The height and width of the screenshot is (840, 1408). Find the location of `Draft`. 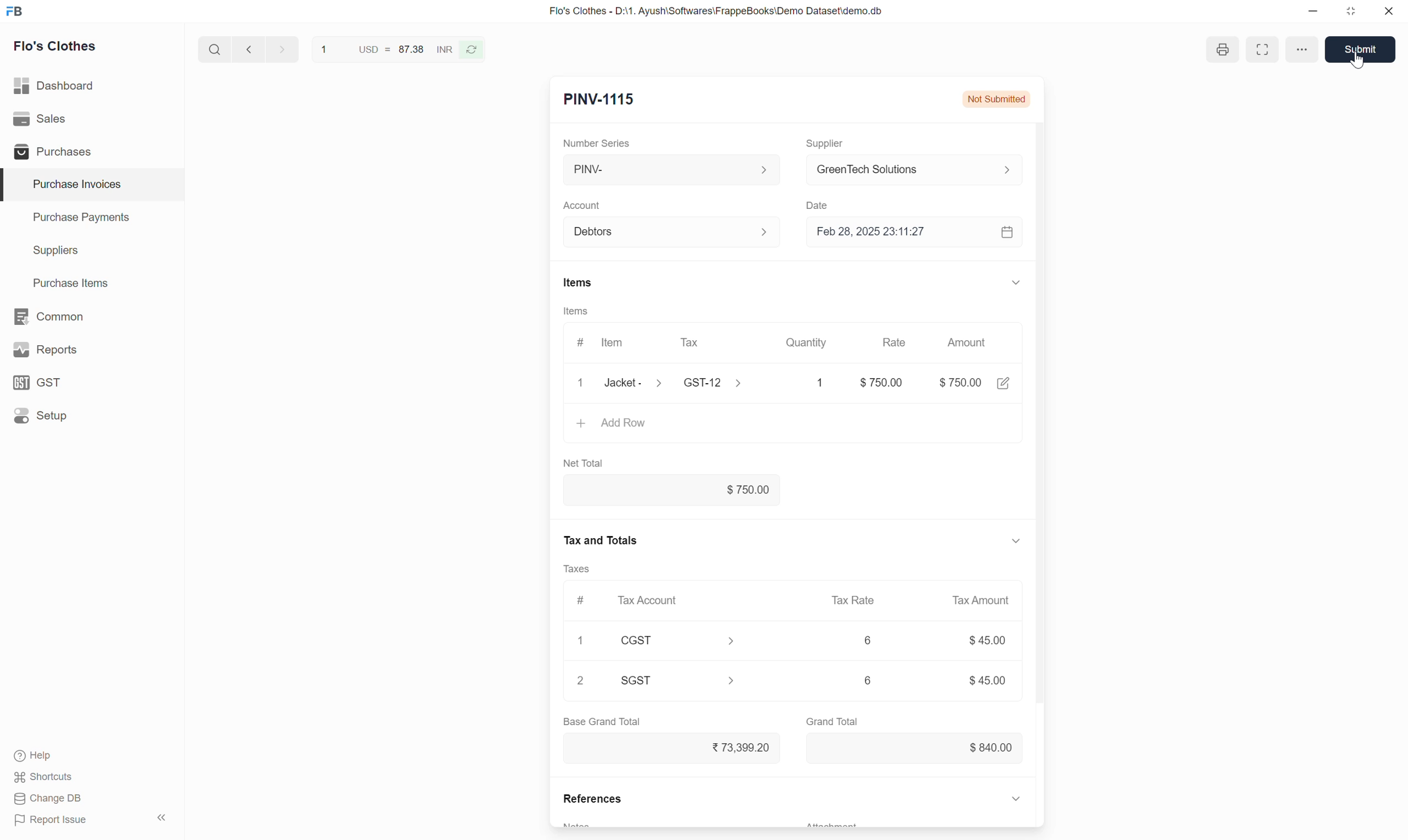

Draft is located at coordinates (1016, 99).